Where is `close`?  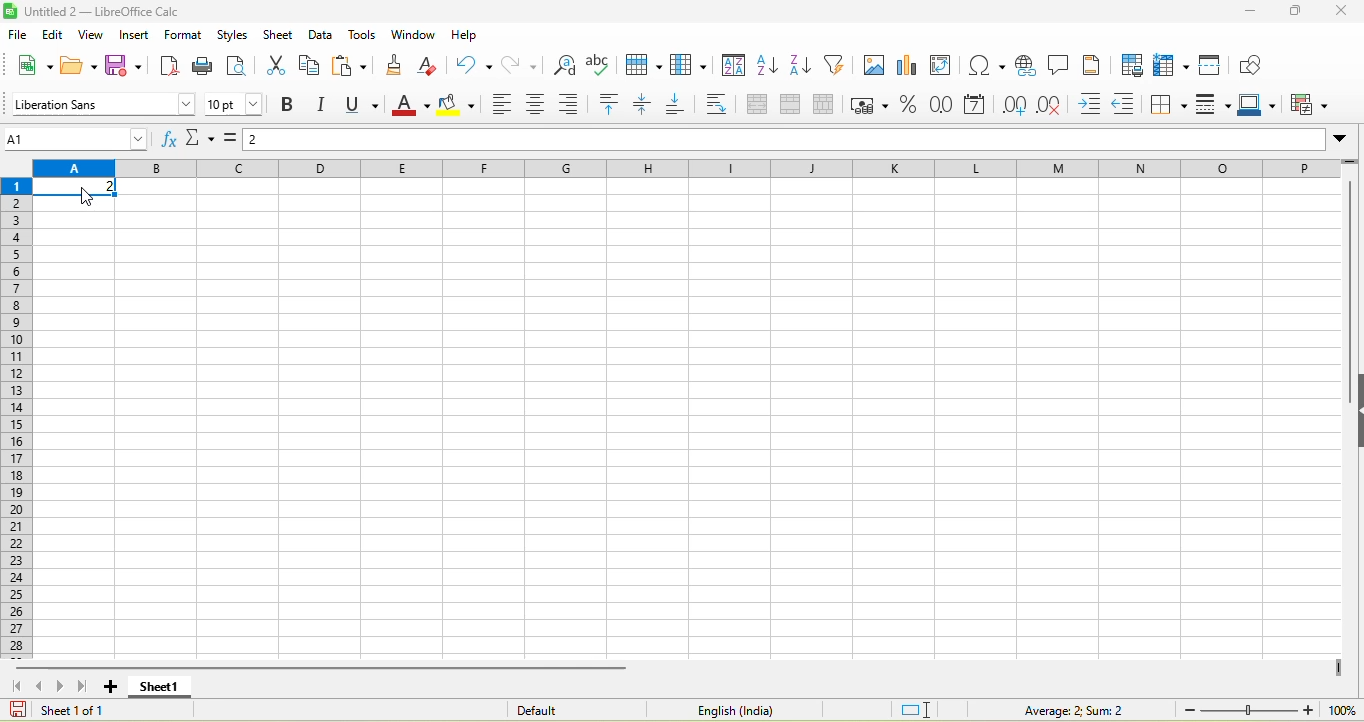
close is located at coordinates (1344, 10).